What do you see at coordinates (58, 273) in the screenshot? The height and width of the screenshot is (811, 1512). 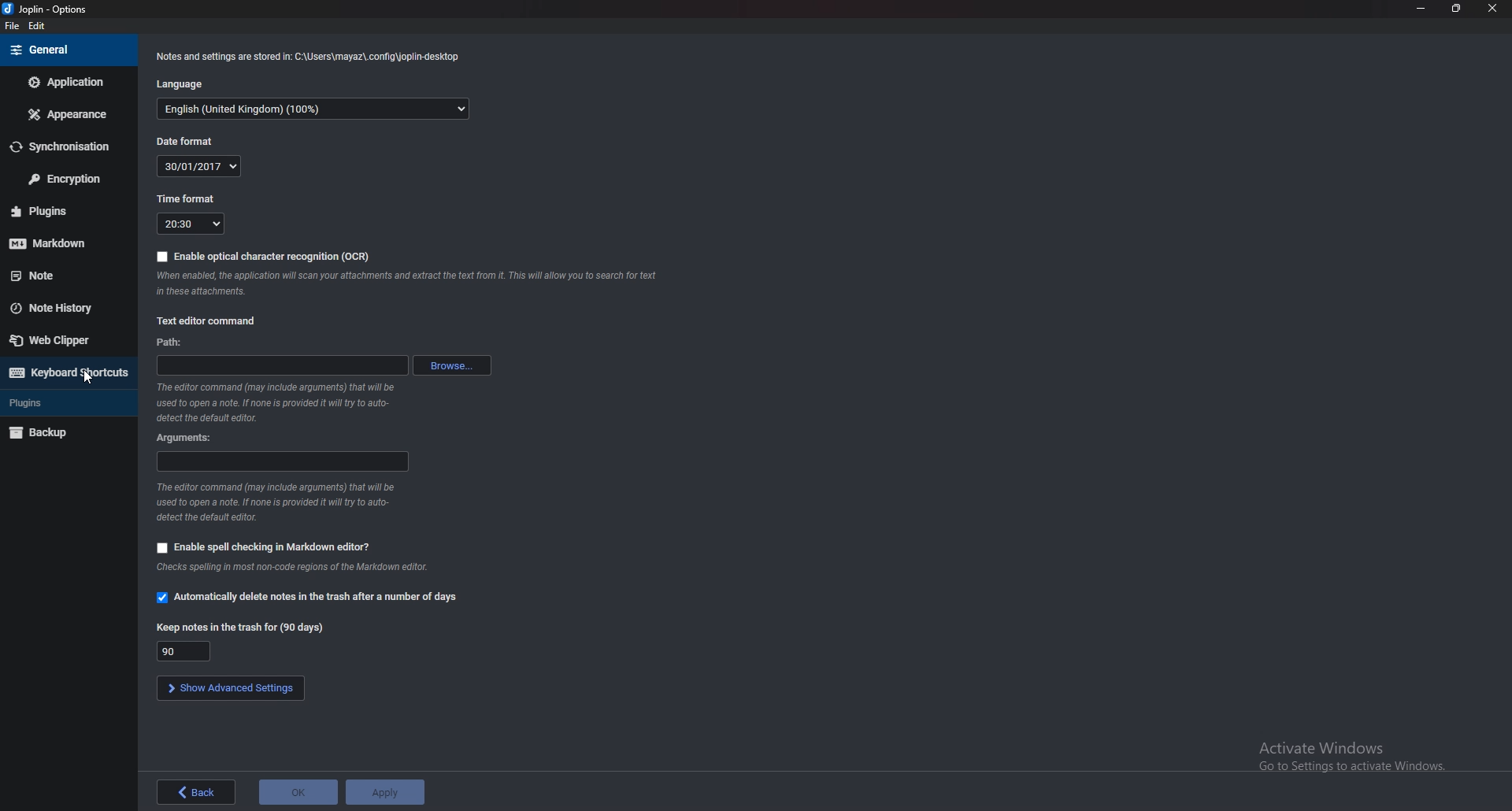 I see `Note` at bounding box center [58, 273].